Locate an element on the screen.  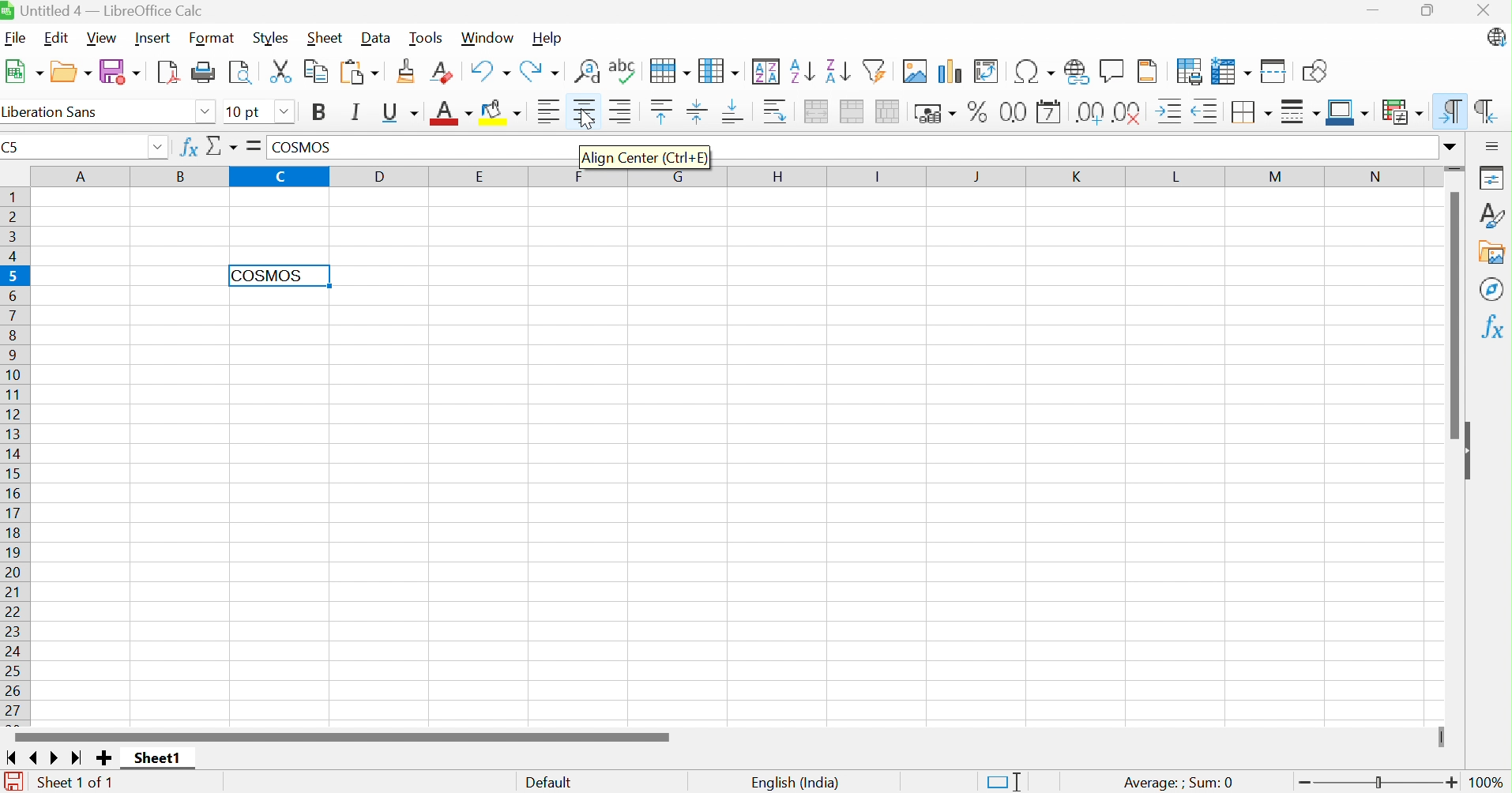
Copy is located at coordinates (316, 71).